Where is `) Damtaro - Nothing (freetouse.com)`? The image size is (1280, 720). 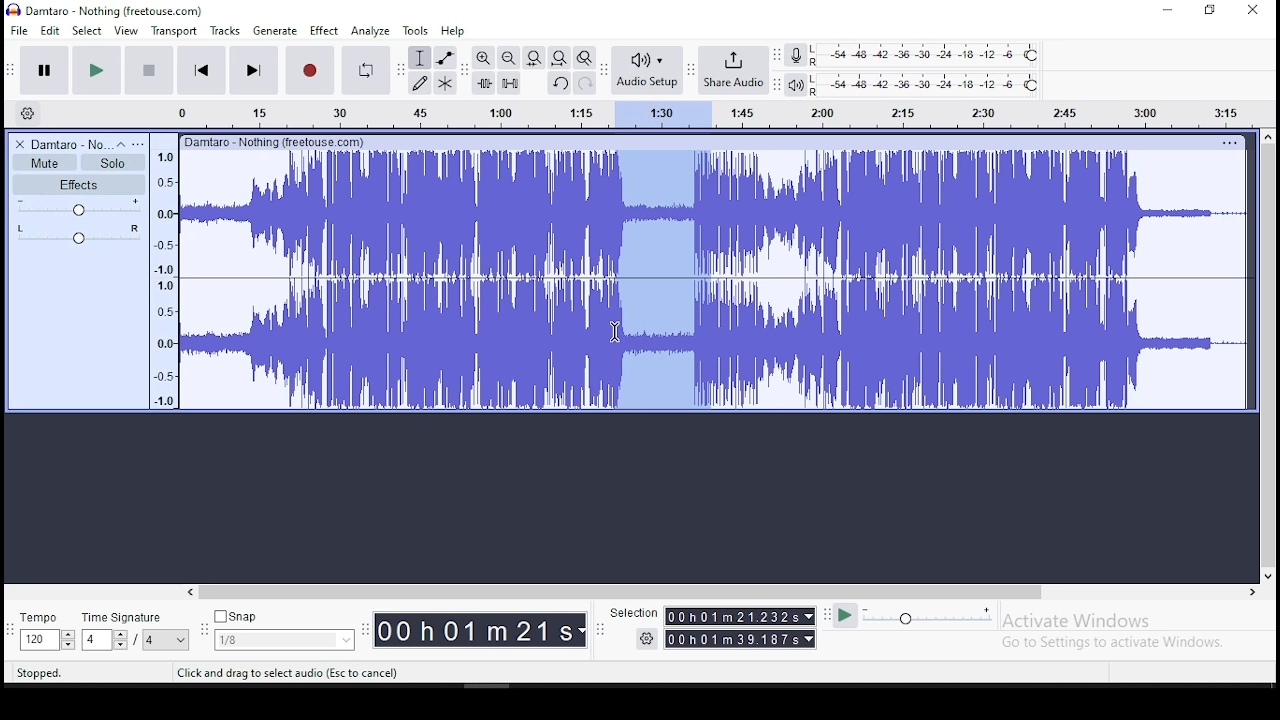 ) Damtaro - Nothing (freetouse.com) is located at coordinates (107, 10).